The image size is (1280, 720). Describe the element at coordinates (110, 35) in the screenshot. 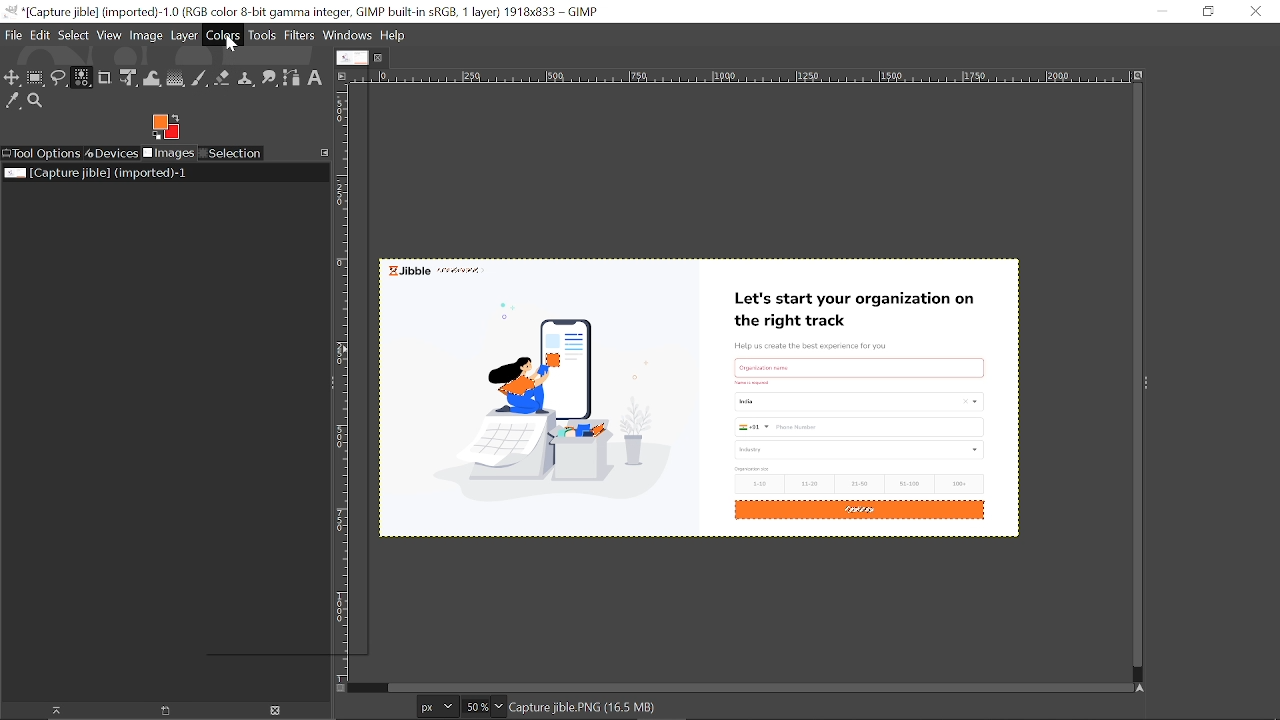

I see `View` at that location.